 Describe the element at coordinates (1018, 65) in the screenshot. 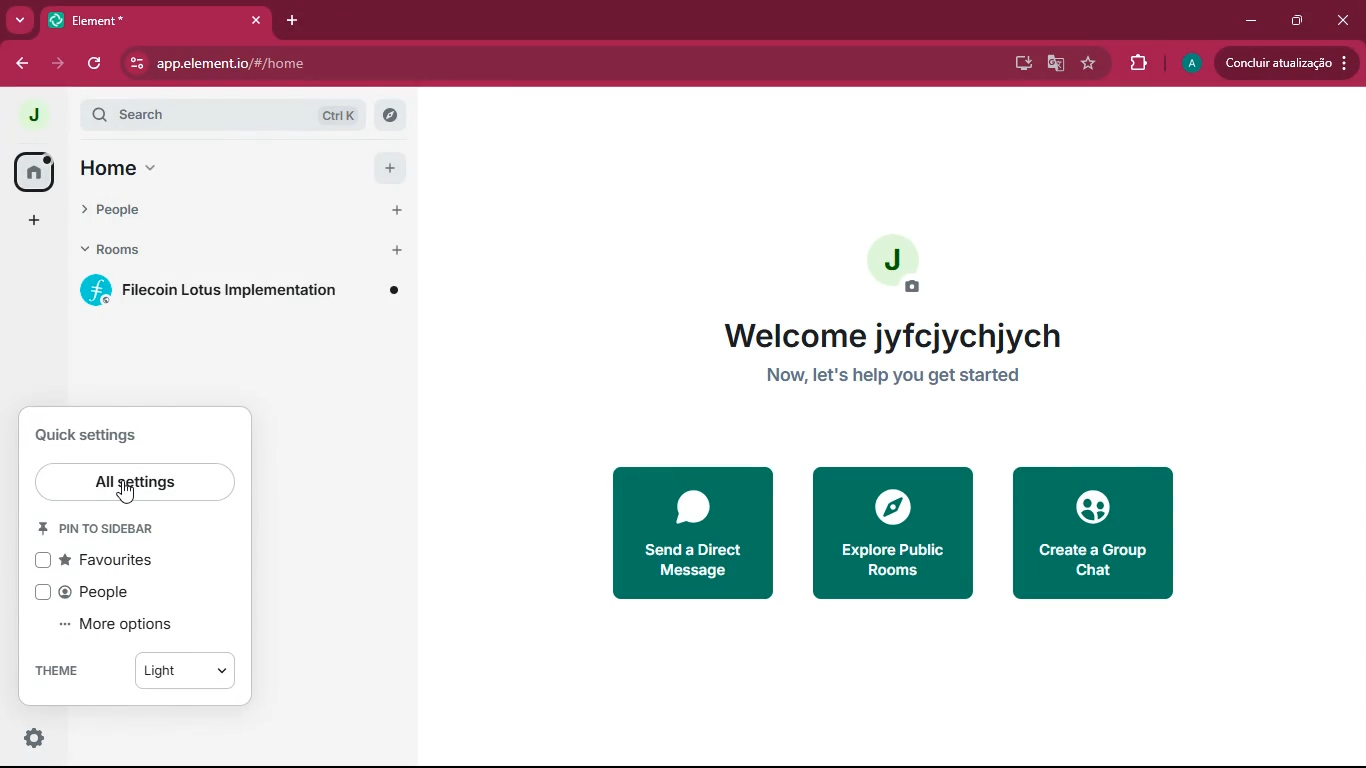

I see `desktop` at that location.